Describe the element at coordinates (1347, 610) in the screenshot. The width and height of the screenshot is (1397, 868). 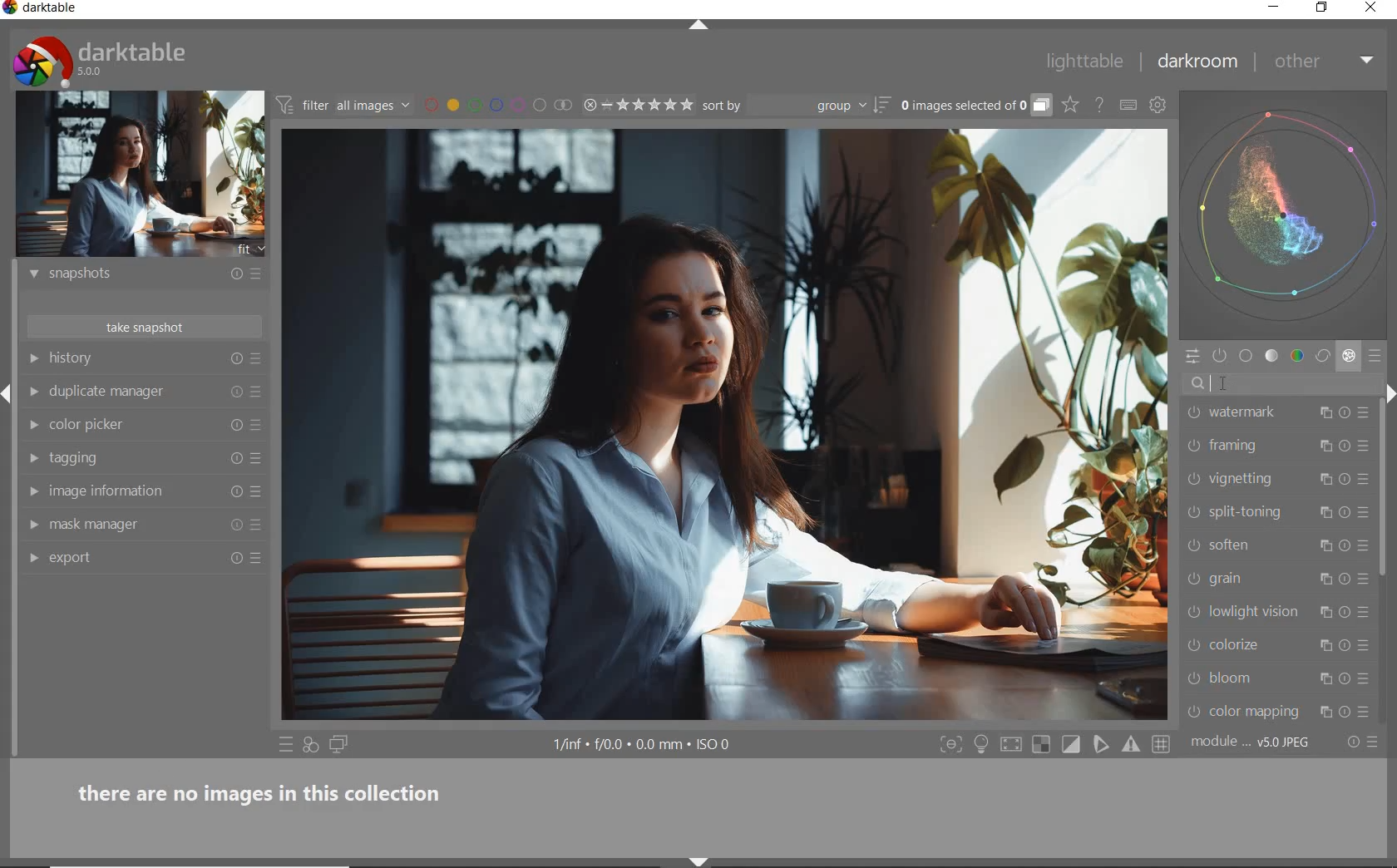
I see `reset` at that location.